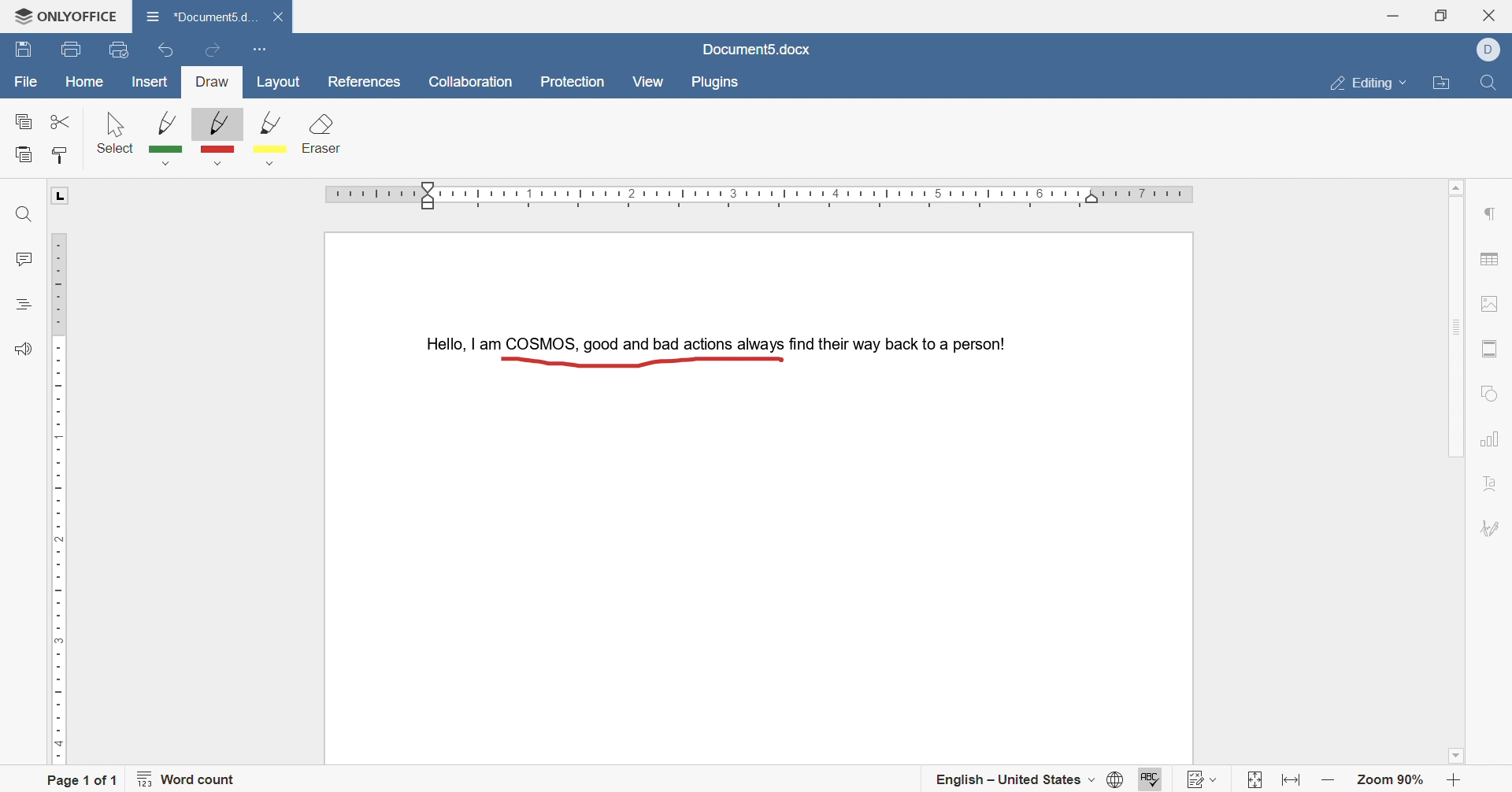  I want to click on L, so click(61, 196).